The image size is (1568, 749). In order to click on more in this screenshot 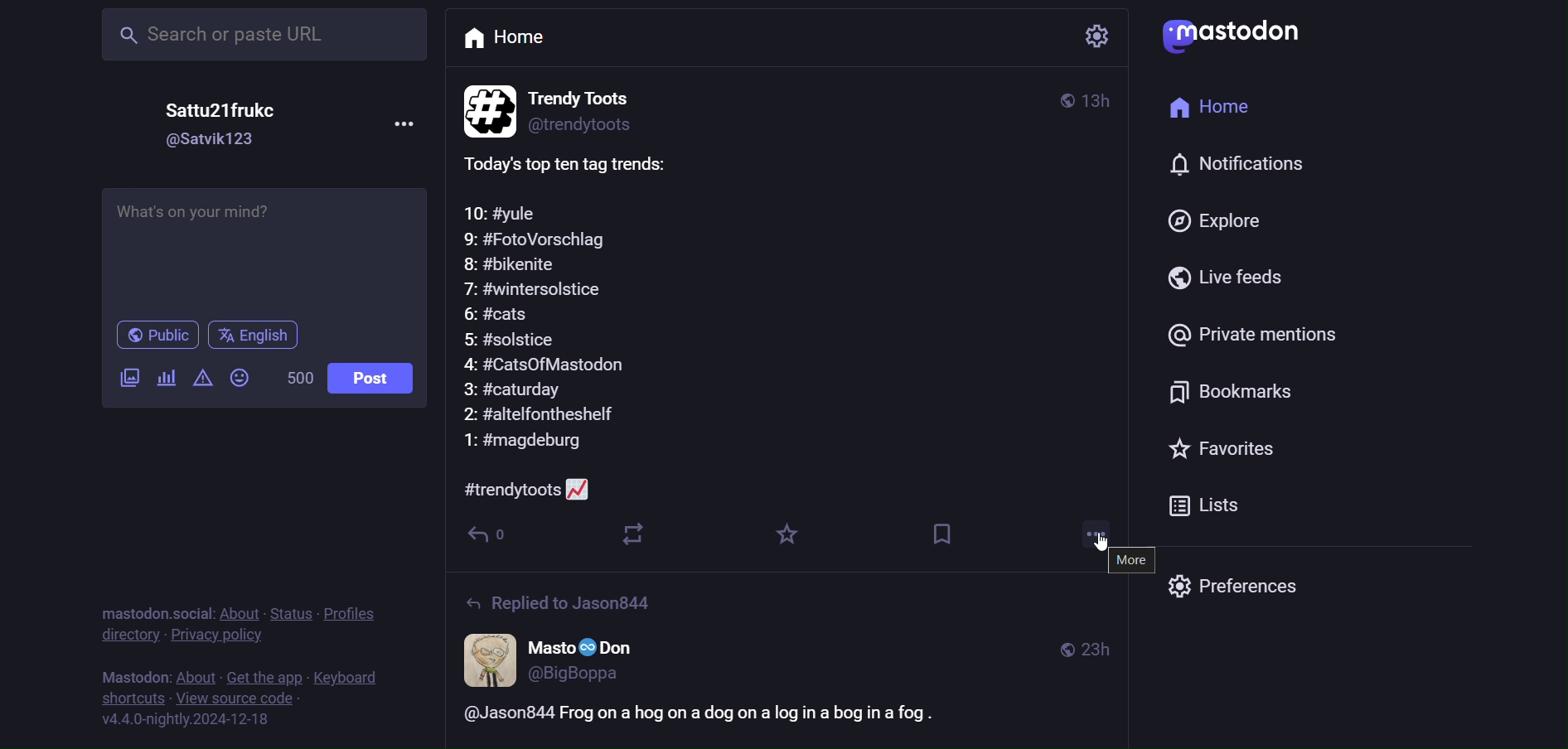, I will do `click(1089, 531)`.